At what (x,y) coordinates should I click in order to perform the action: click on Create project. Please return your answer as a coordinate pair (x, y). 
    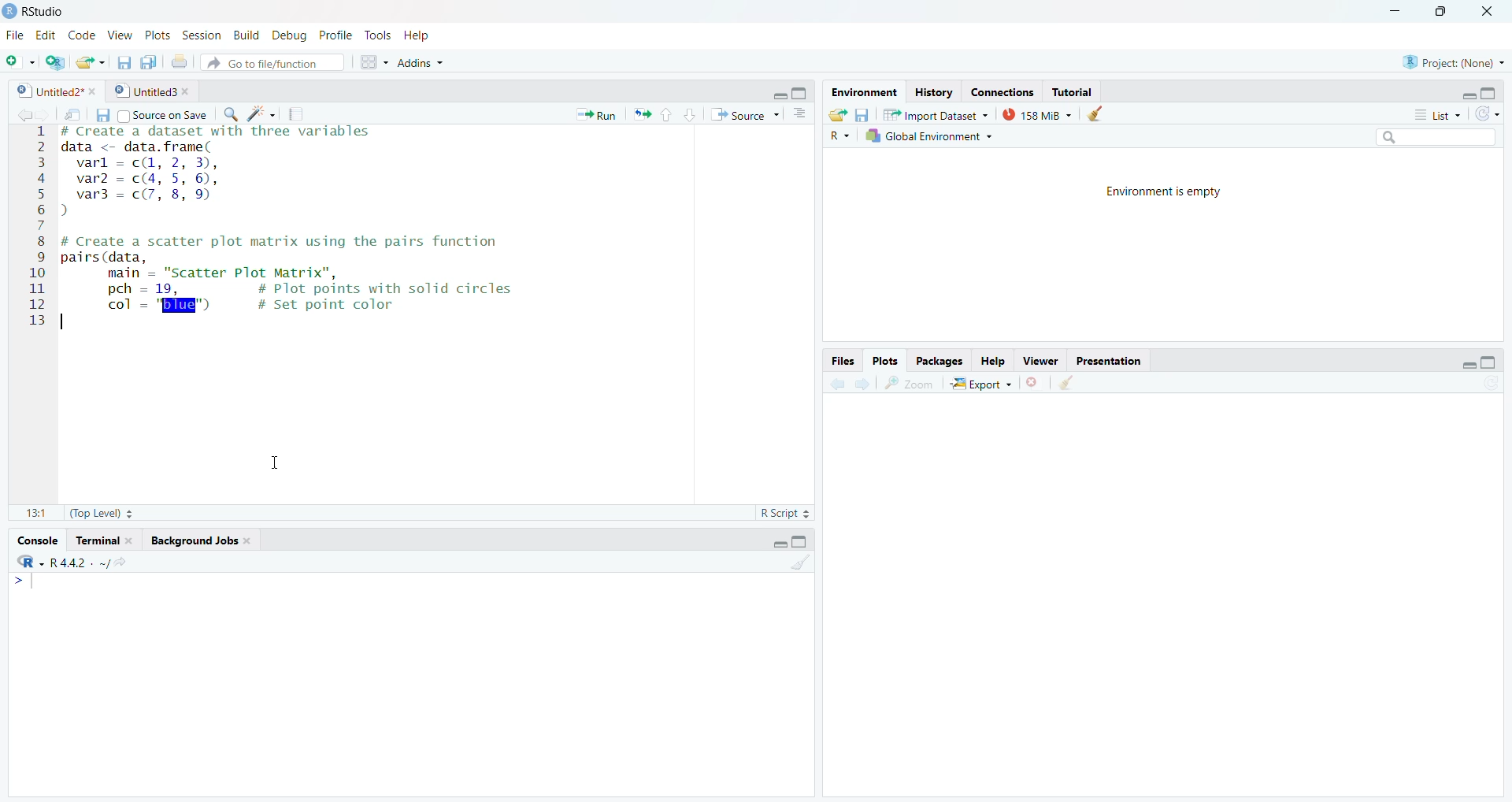
    Looking at the image, I should click on (56, 62).